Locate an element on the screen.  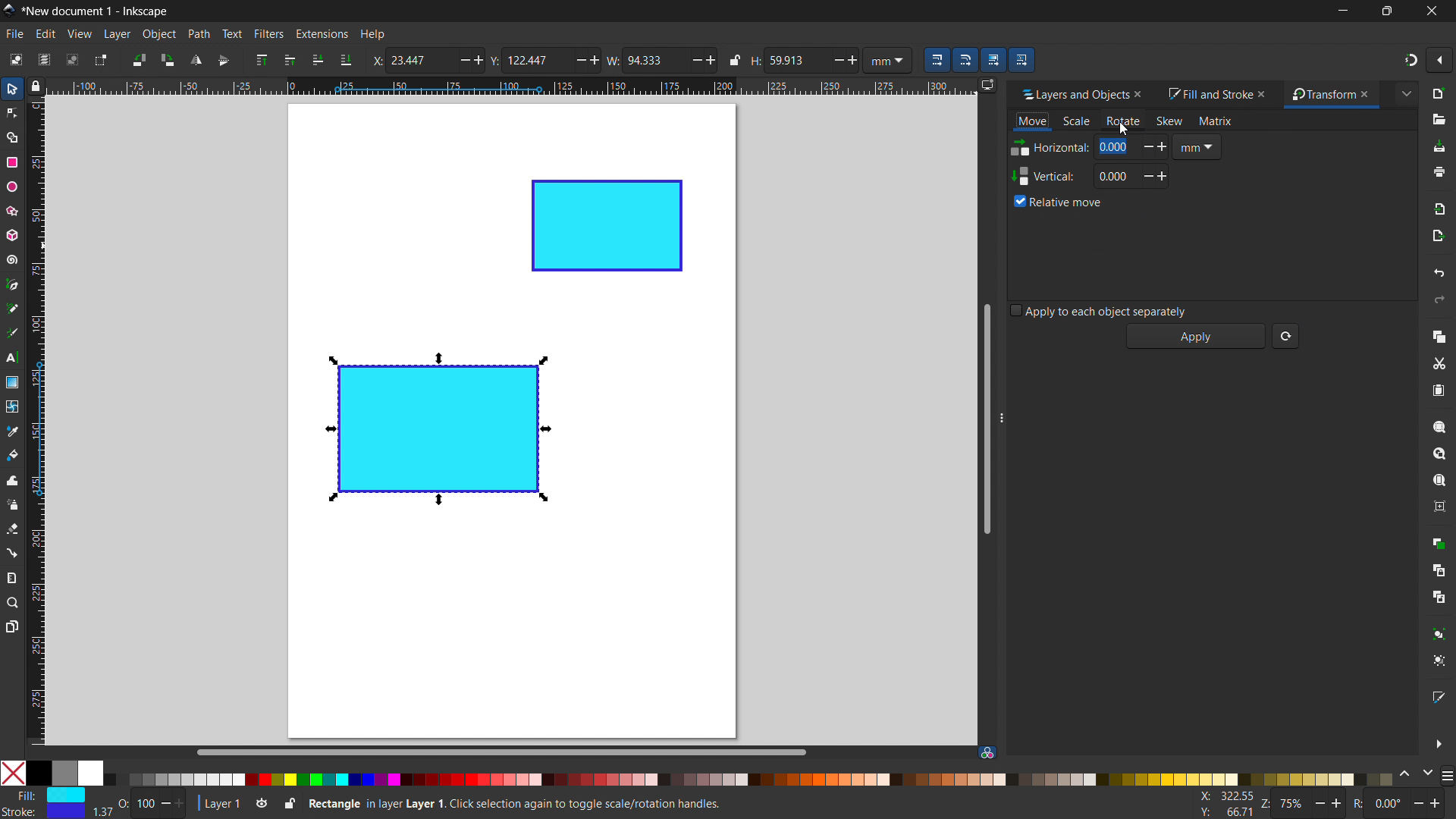
White is located at coordinates (90, 773).